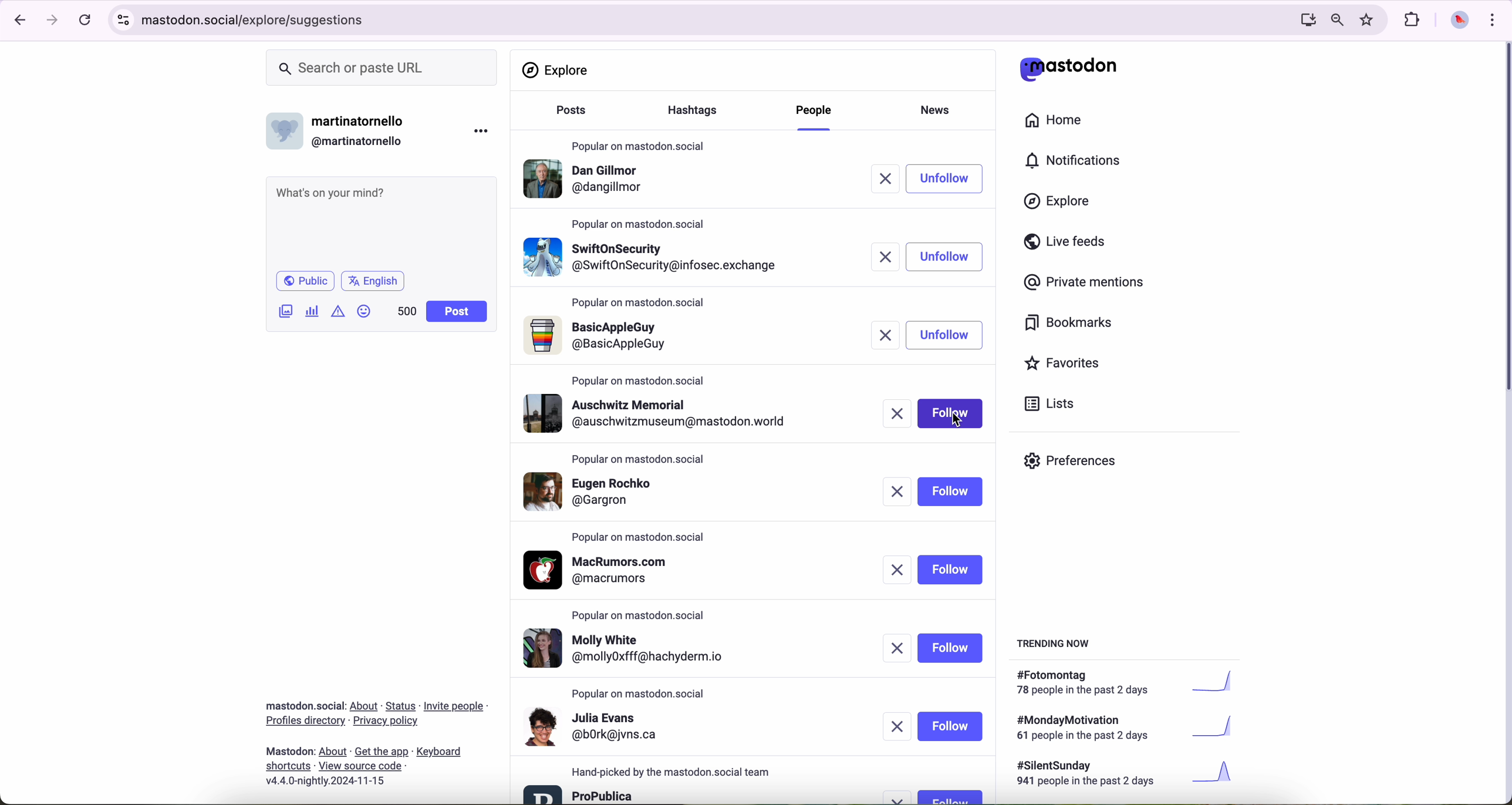 This screenshot has width=1512, height=805. What do you see at coordinates (580, 793) in the screenshot?
I see `profile` at bounding box center [580, 793].